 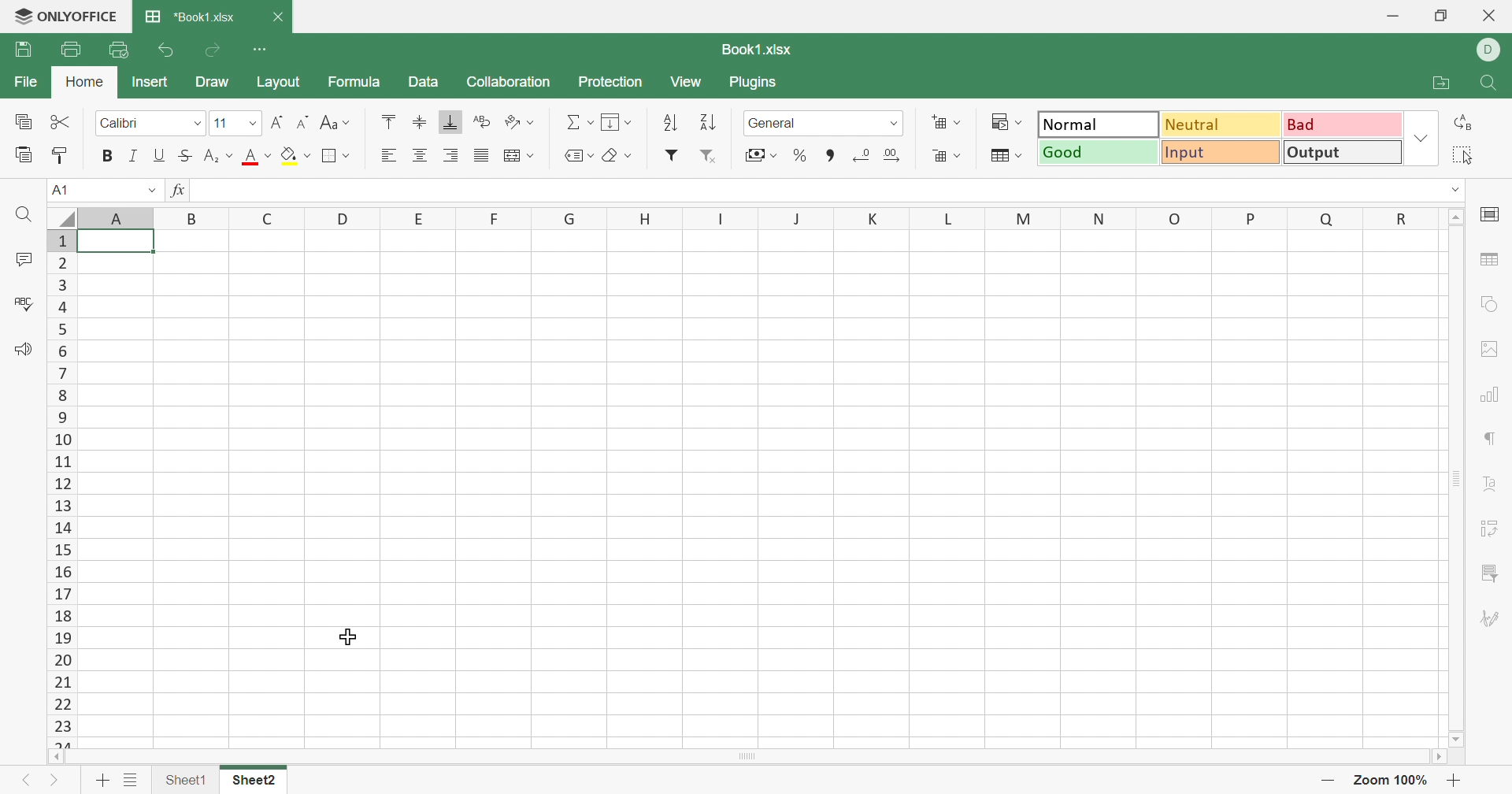 I want to click on Layout, so click(x=280, y=81).